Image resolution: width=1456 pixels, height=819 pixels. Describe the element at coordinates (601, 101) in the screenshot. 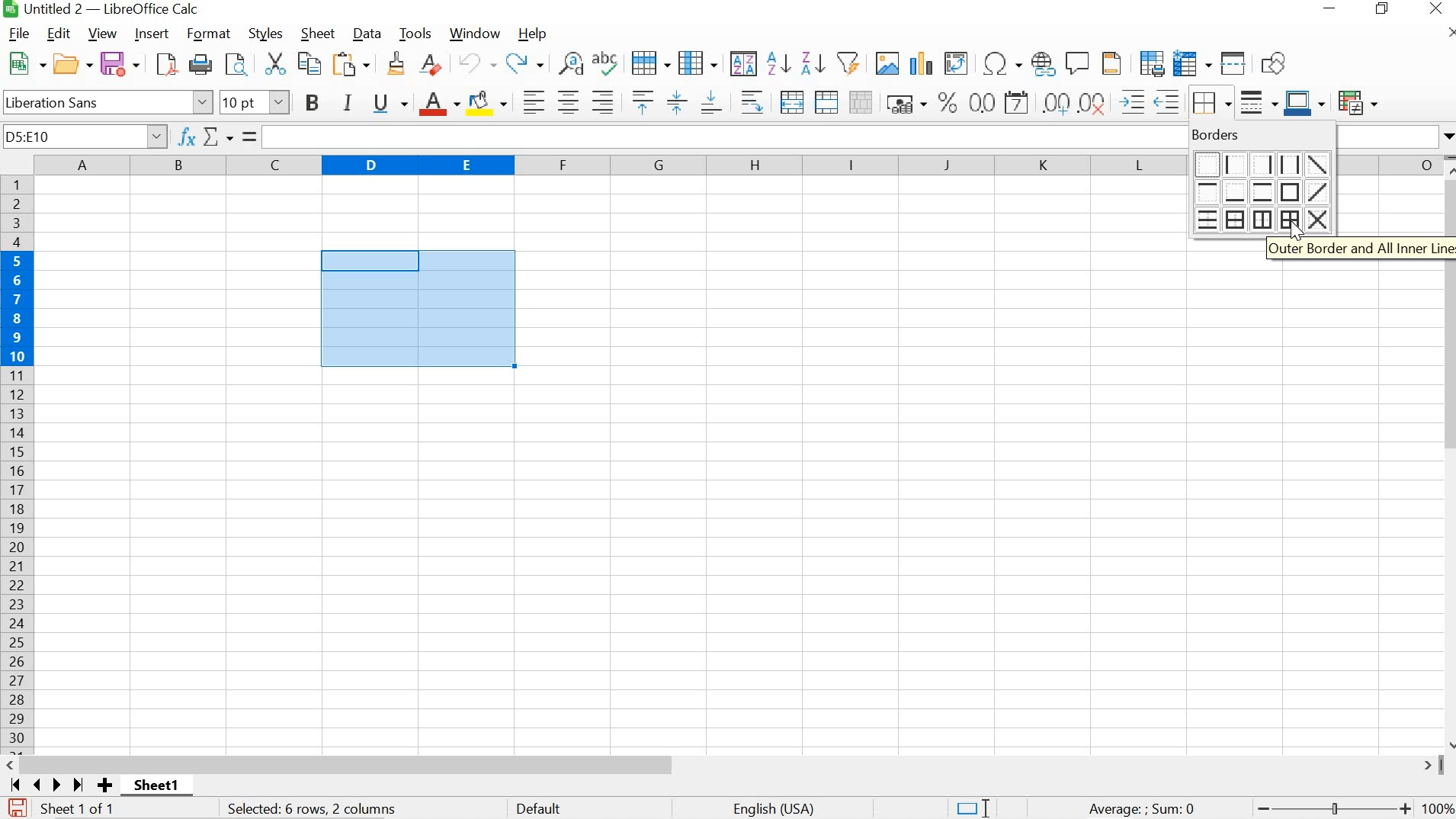

I see `ALIGN RIGHT` at that location.